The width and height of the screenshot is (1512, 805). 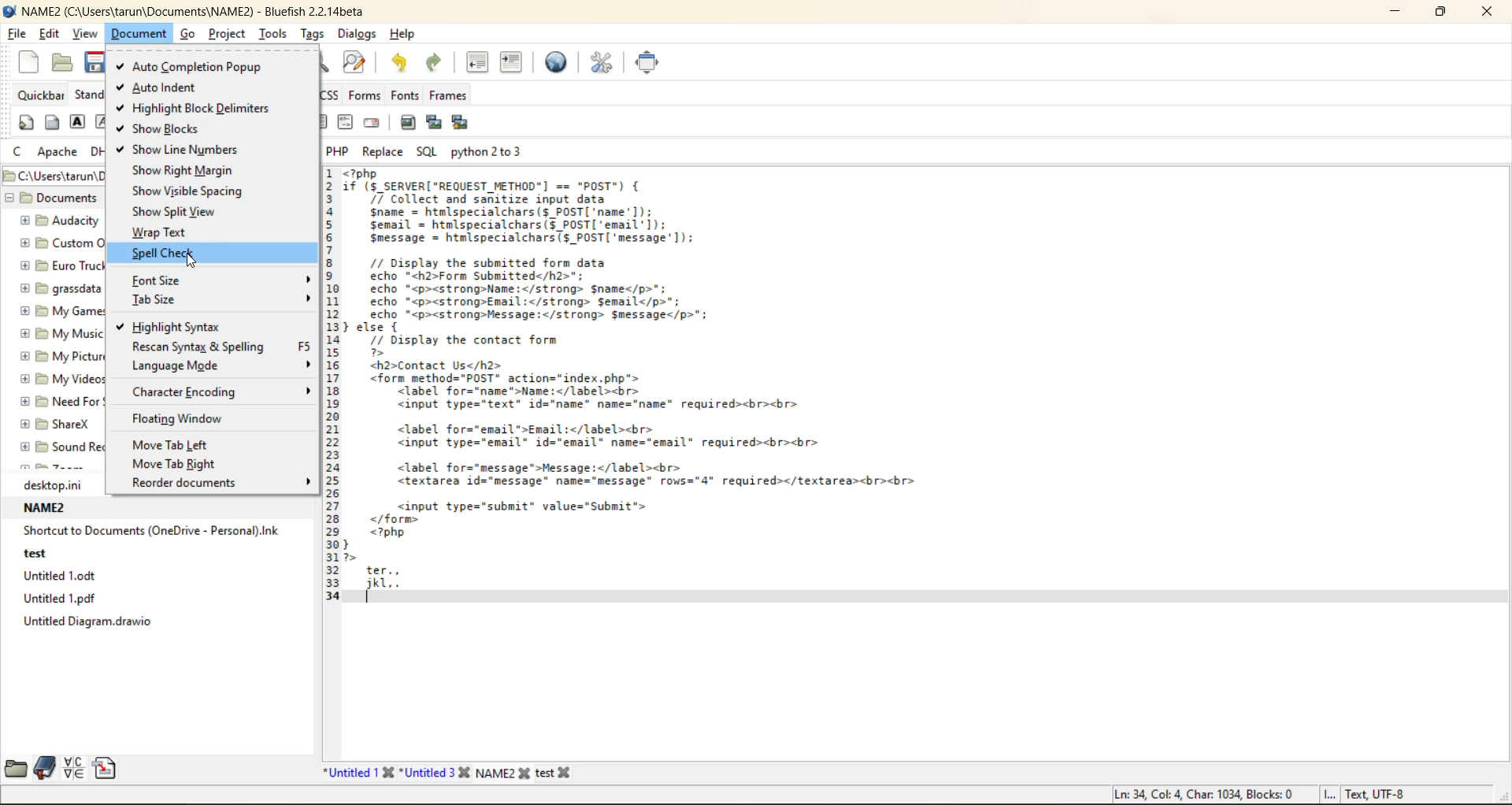 What do you see at coordinates (52, 35) in the screenshot?
I see `edit` at bounding box center [52, 35].